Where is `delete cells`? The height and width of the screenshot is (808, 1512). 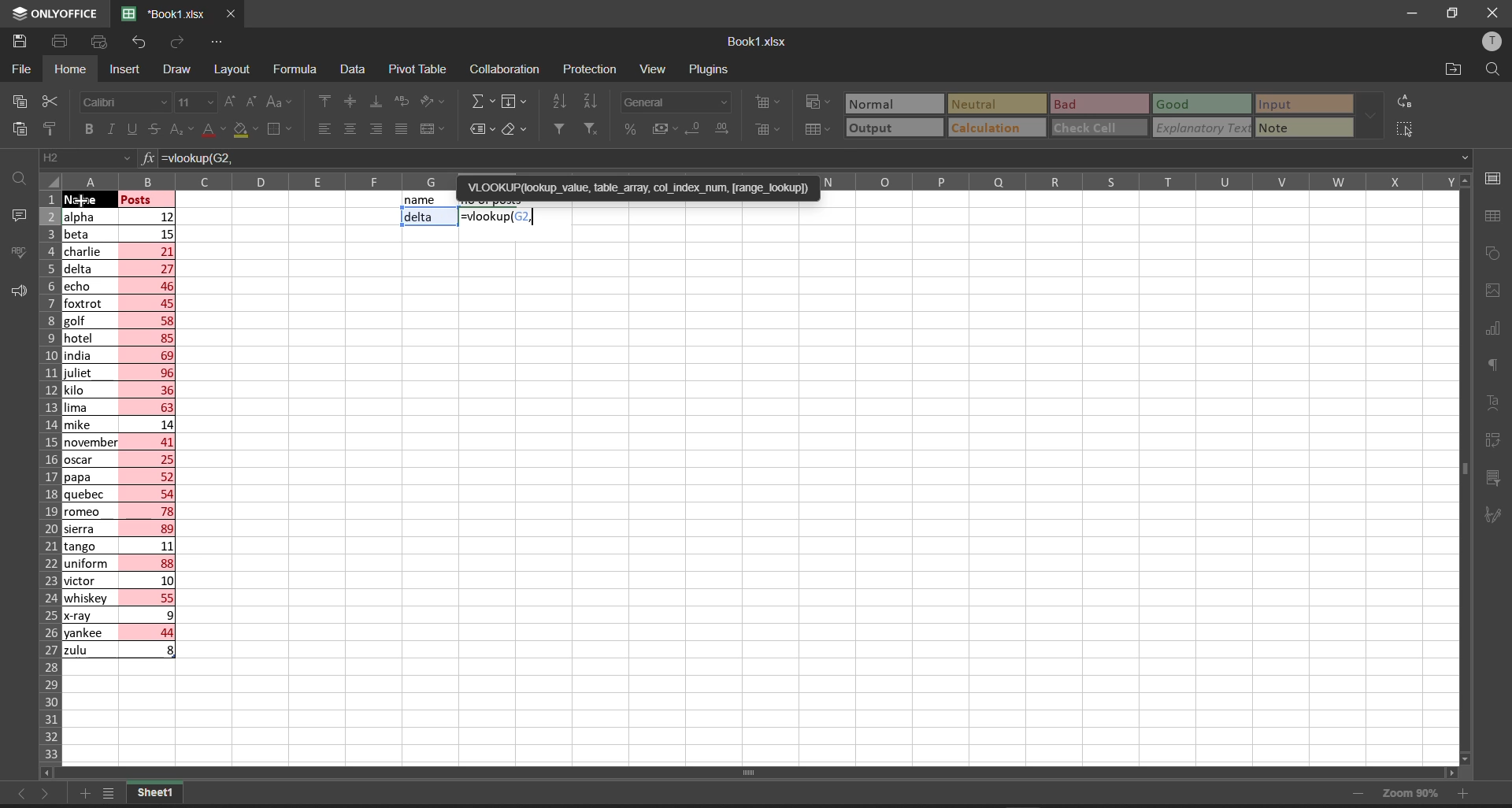
delete cells is located at coordinates (765, 128).